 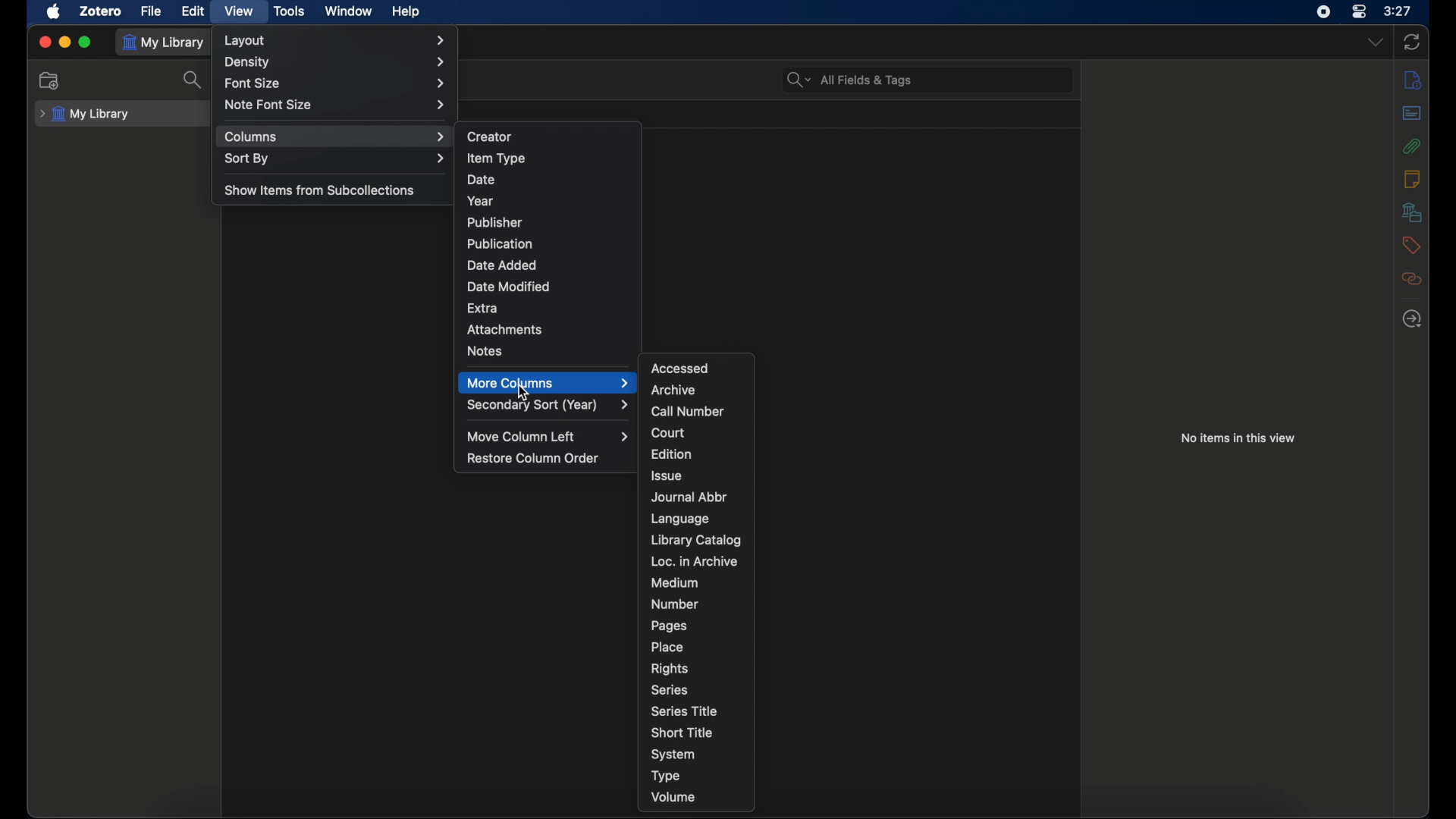 I want to click on libraries, so click(x=1411, y=212).